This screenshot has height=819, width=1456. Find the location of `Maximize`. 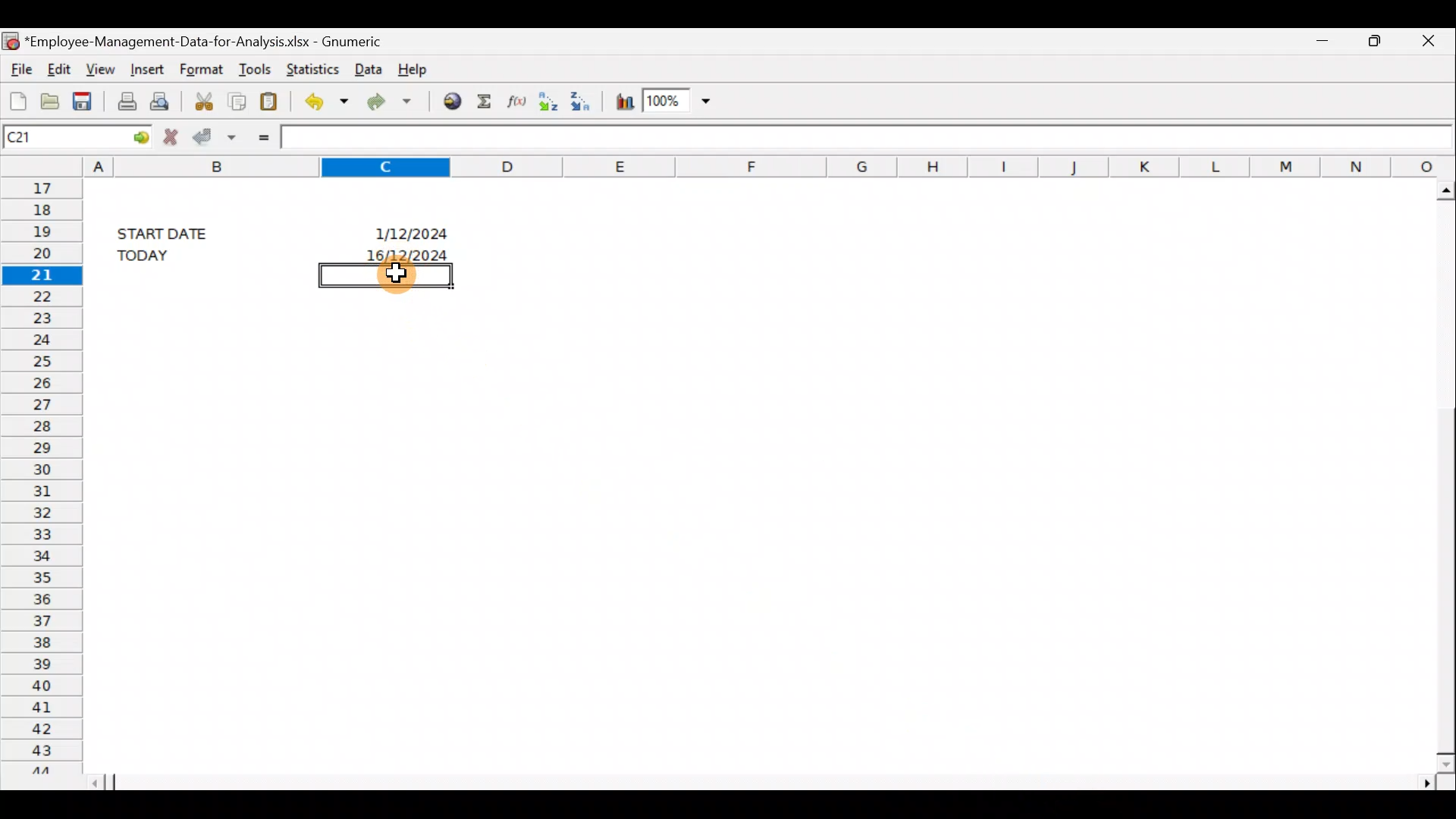

Maximize is located at coordinates (1374, 42).